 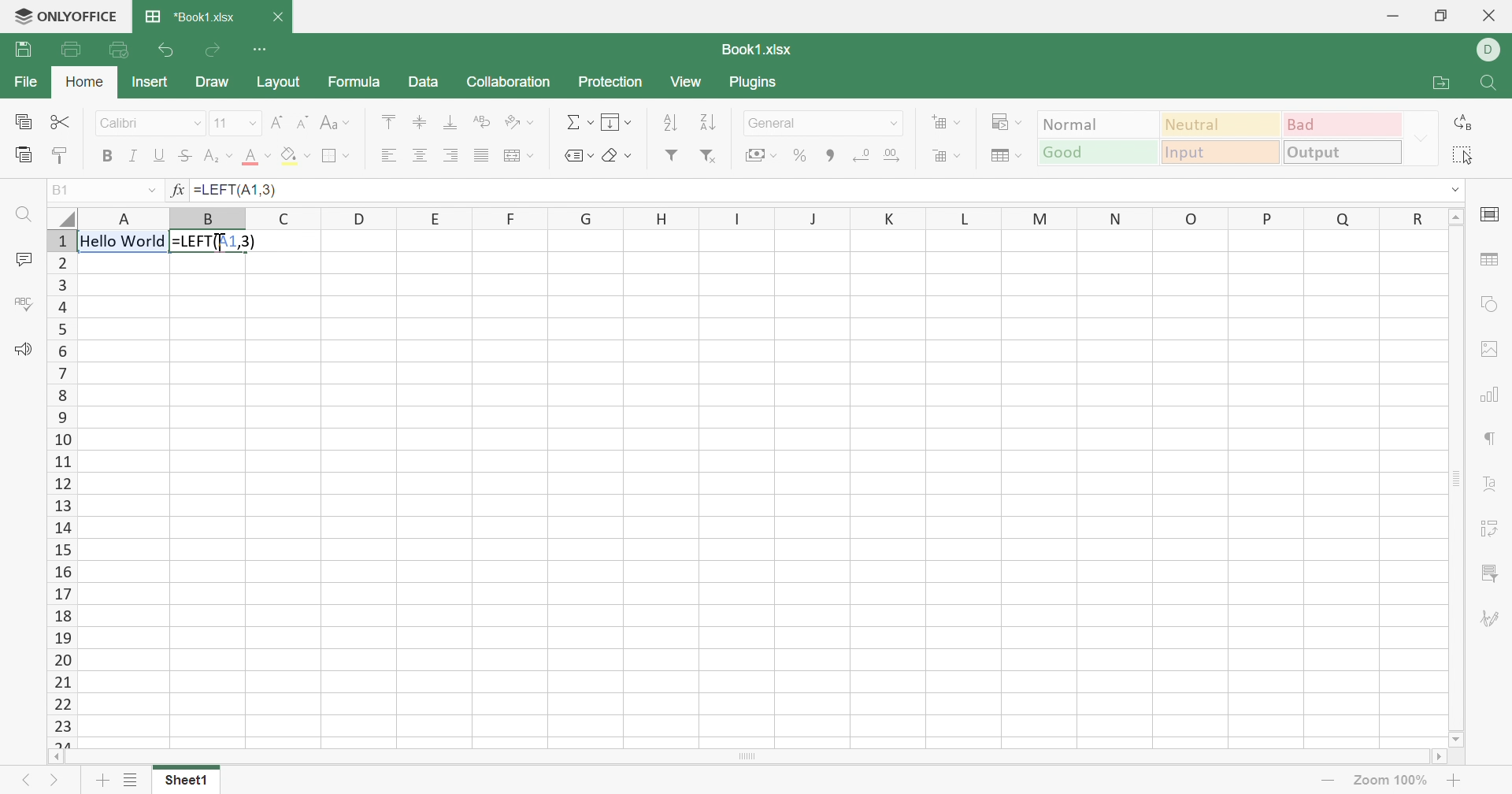 I want to click on Protection, so click(x=609, y=82).